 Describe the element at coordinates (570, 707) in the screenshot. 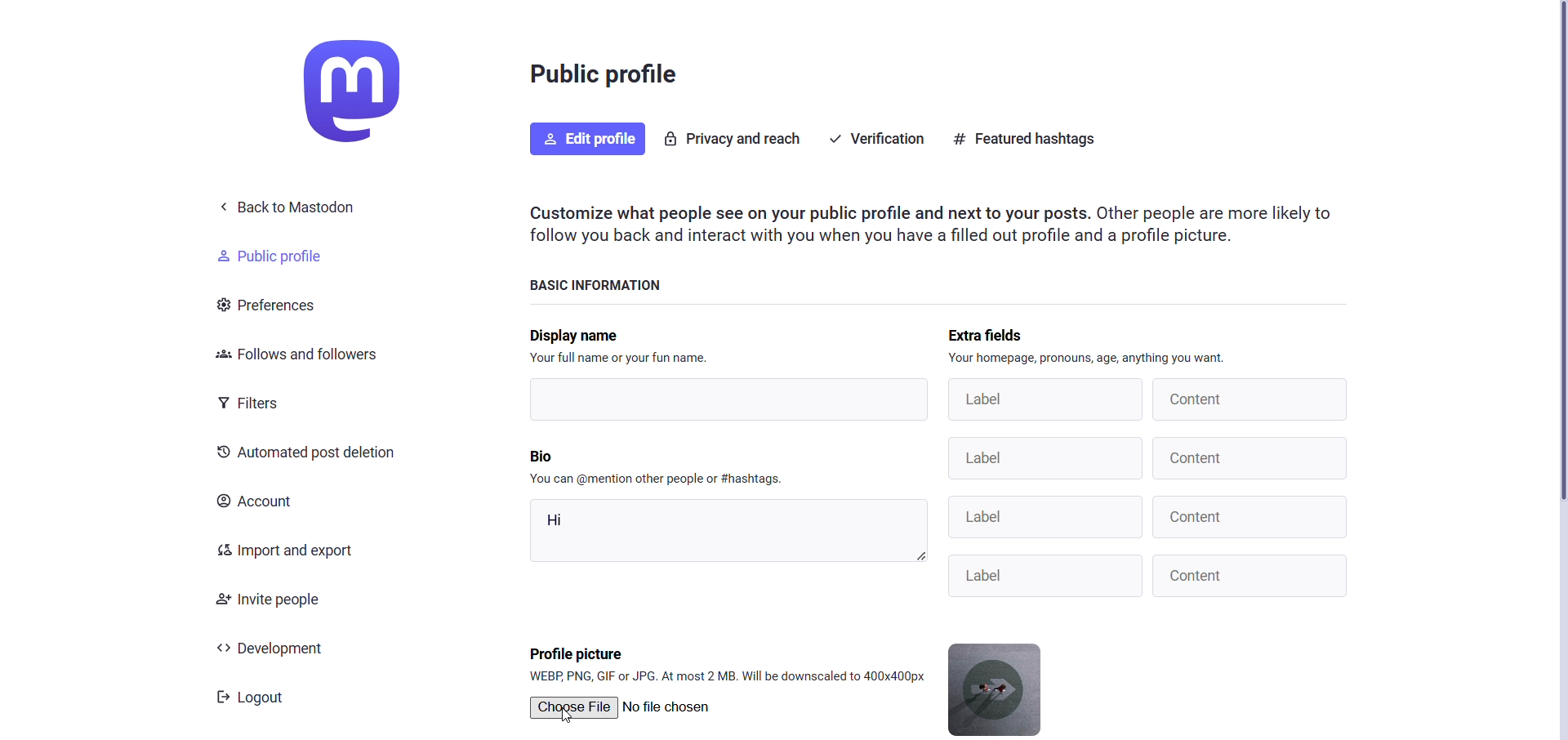

I see `choose file` at that location.